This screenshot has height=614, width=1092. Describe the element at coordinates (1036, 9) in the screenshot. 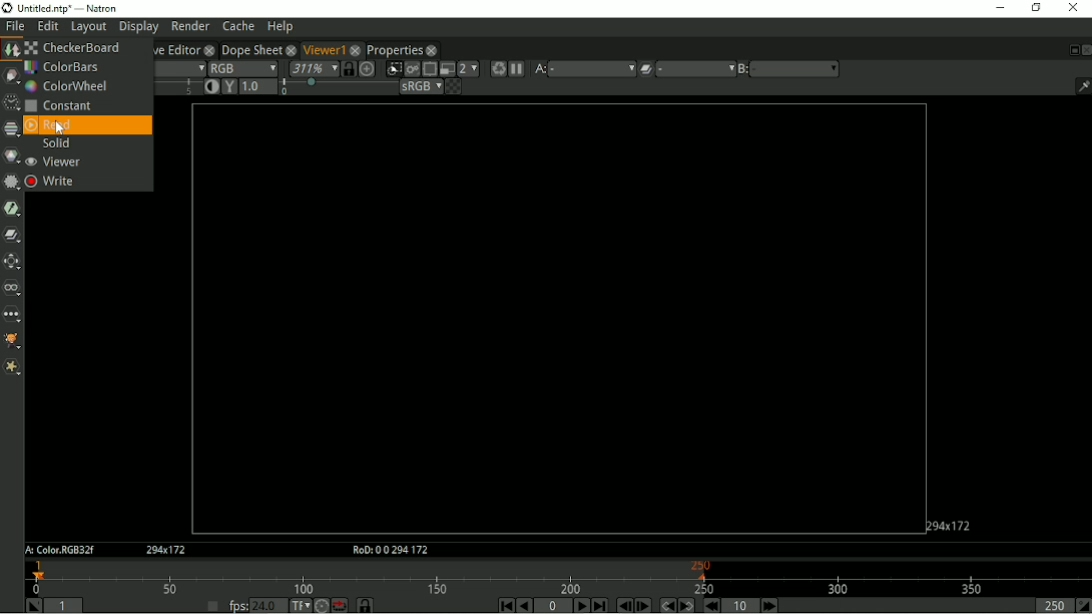

I see `Restore down` at that location.